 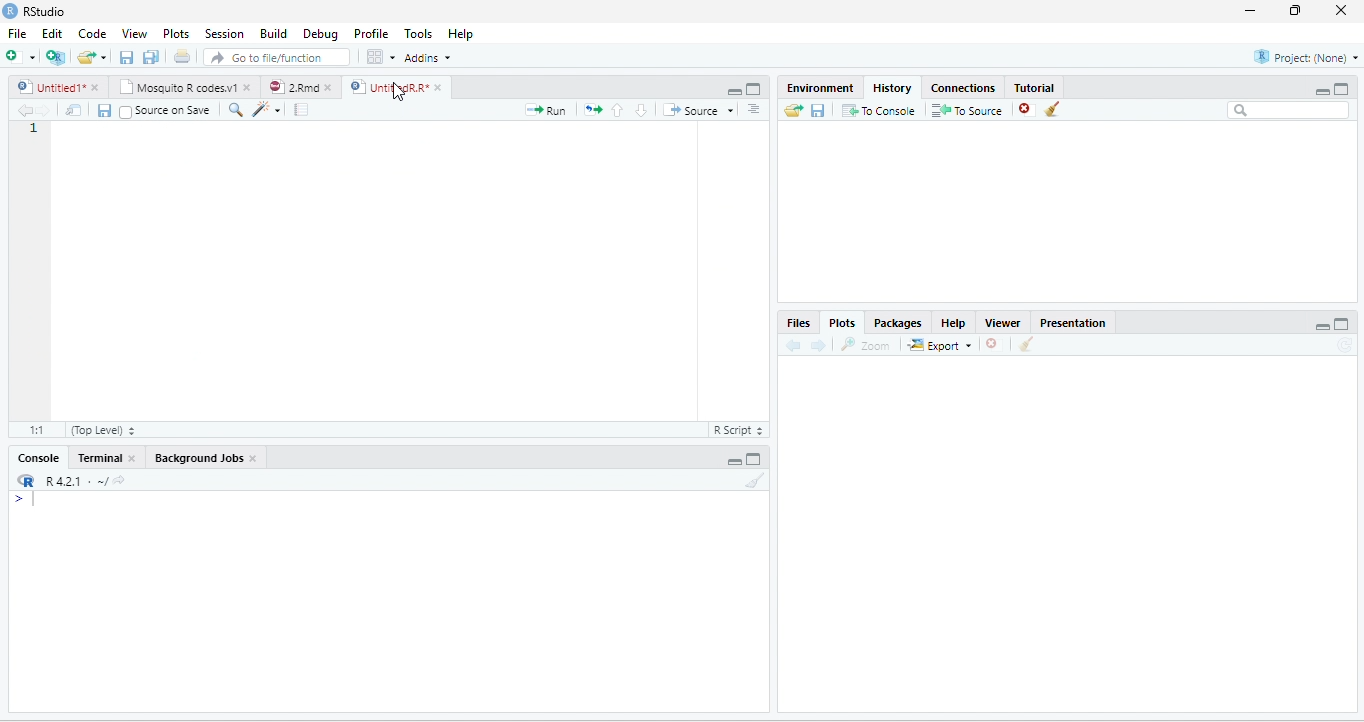 What do you see at coordinates (91, 33) in the screenshot?
I see `Code` at bounding box center [91, 33].